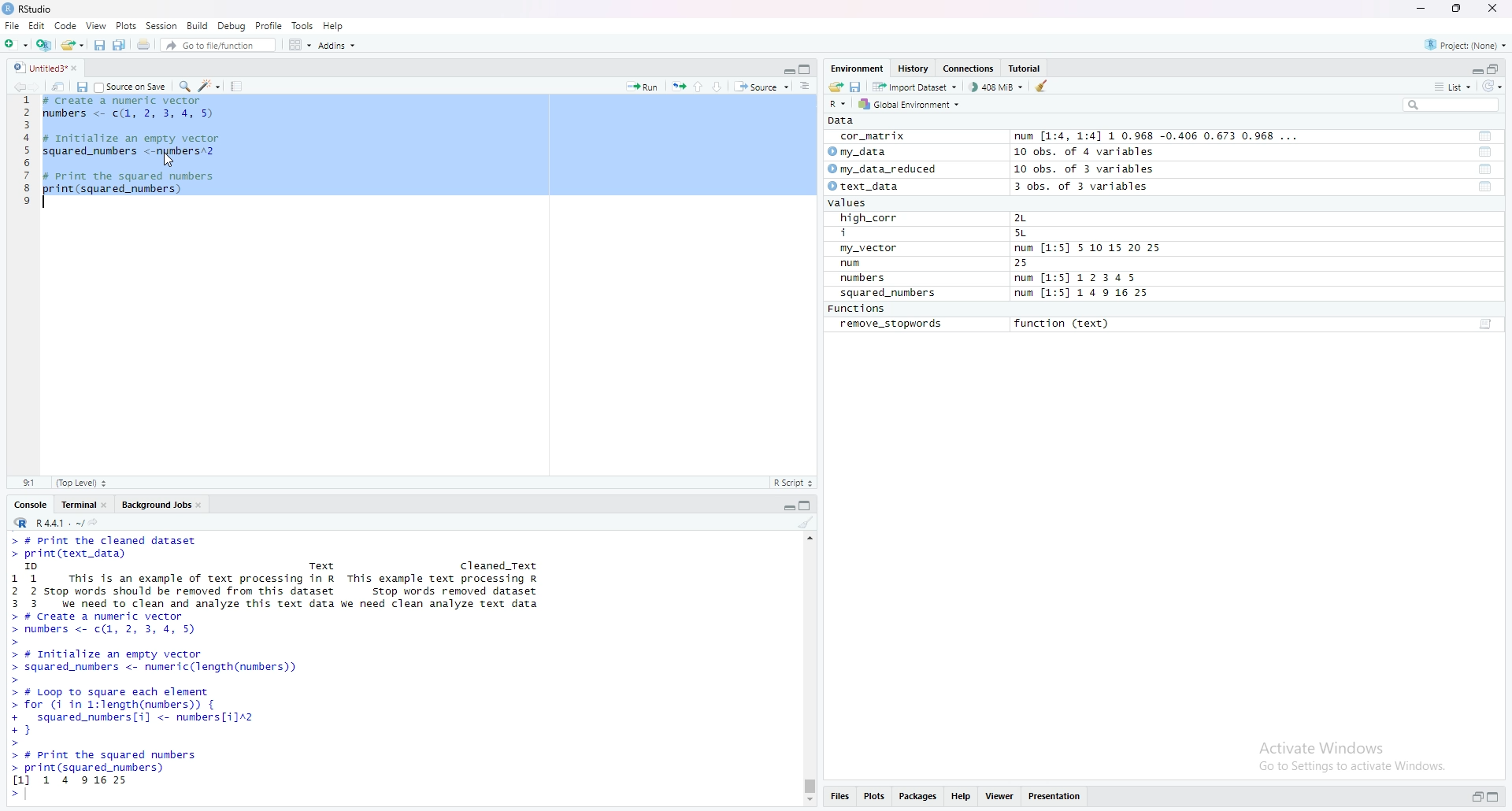  I want to click on Global Environment, so click(910, 104).